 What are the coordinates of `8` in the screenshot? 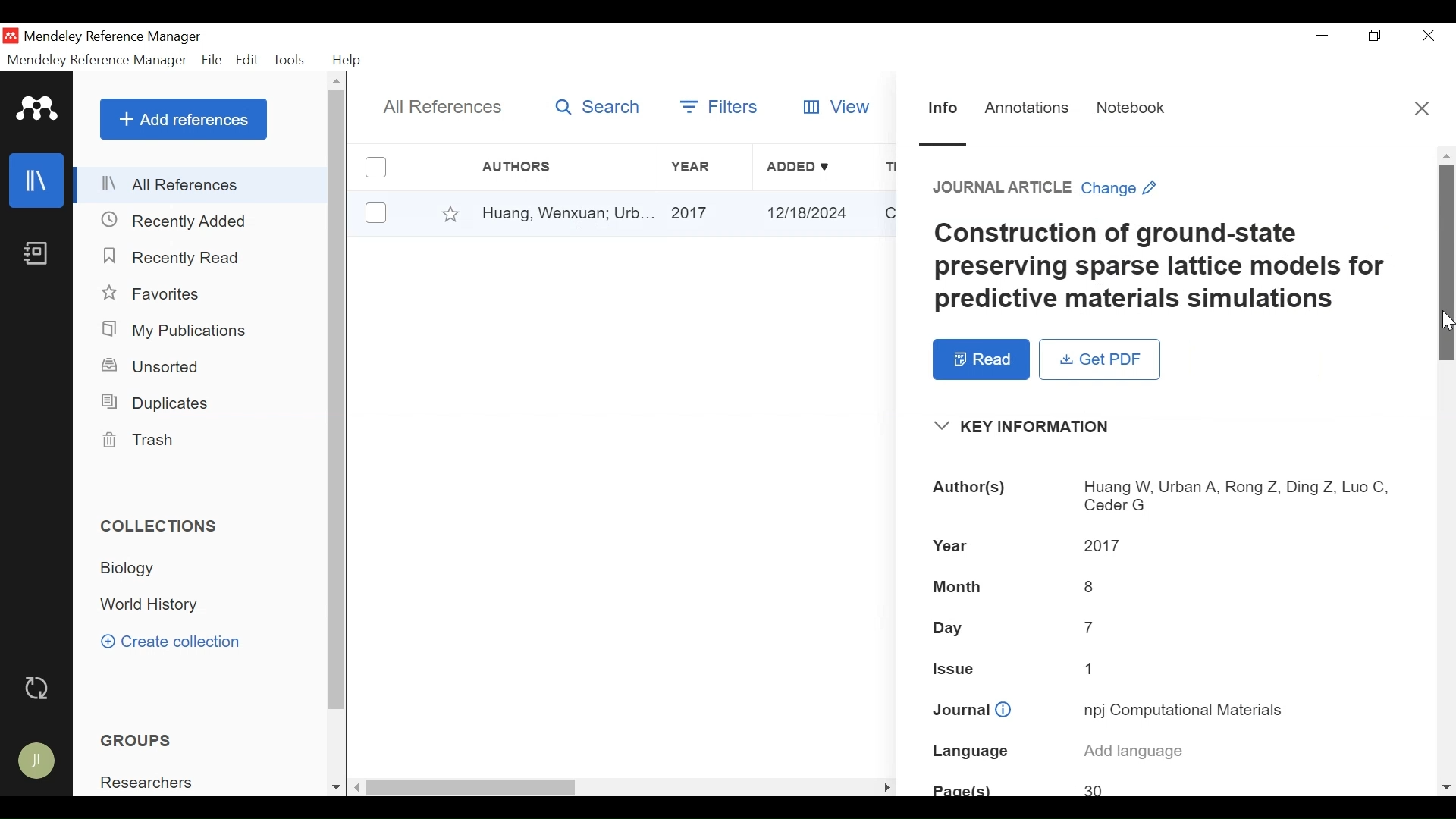 It's located at (1091, 586).